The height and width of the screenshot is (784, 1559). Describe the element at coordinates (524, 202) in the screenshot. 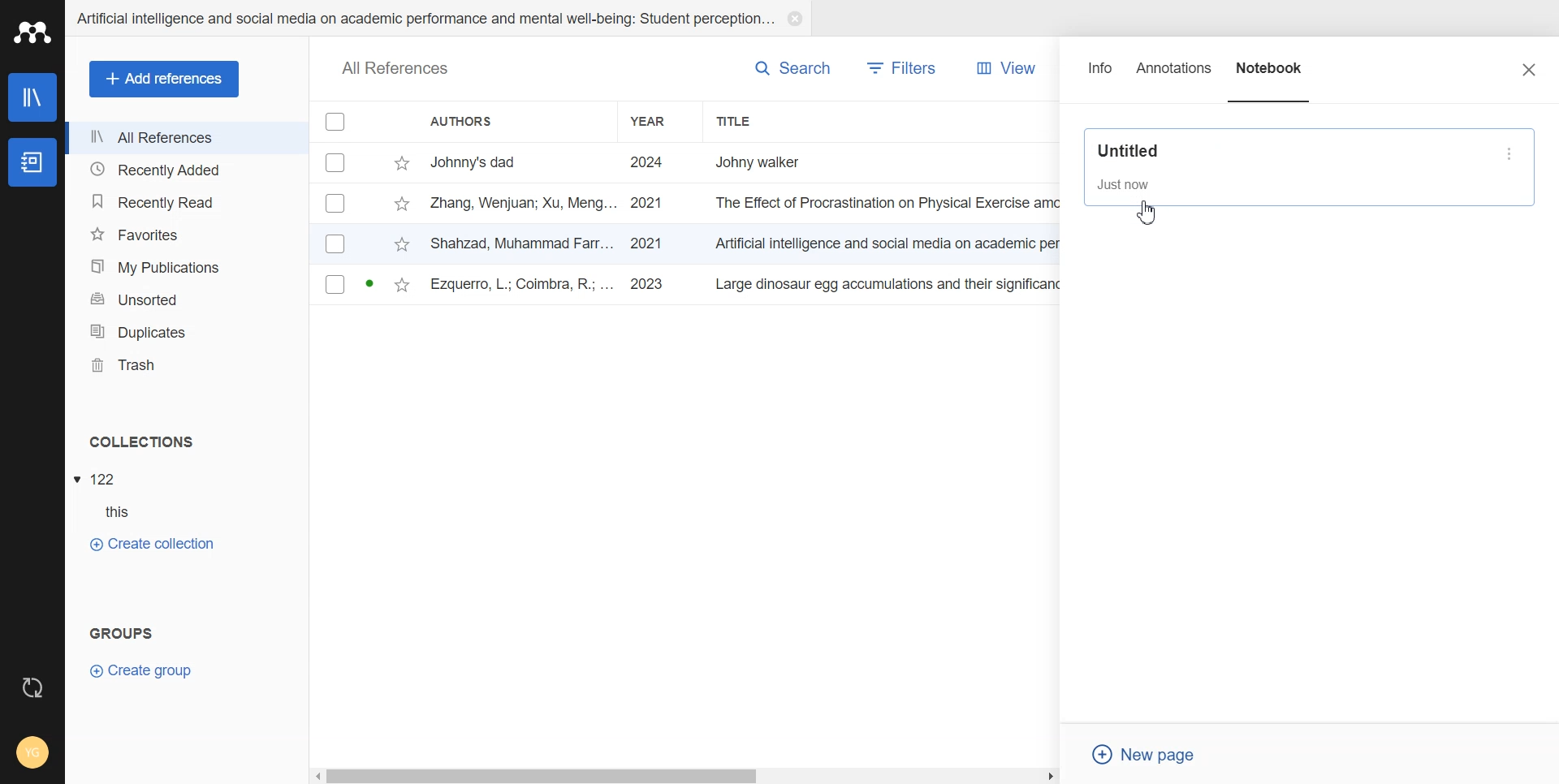

I see `zang, wenjuan; xu, meng...` at that location.